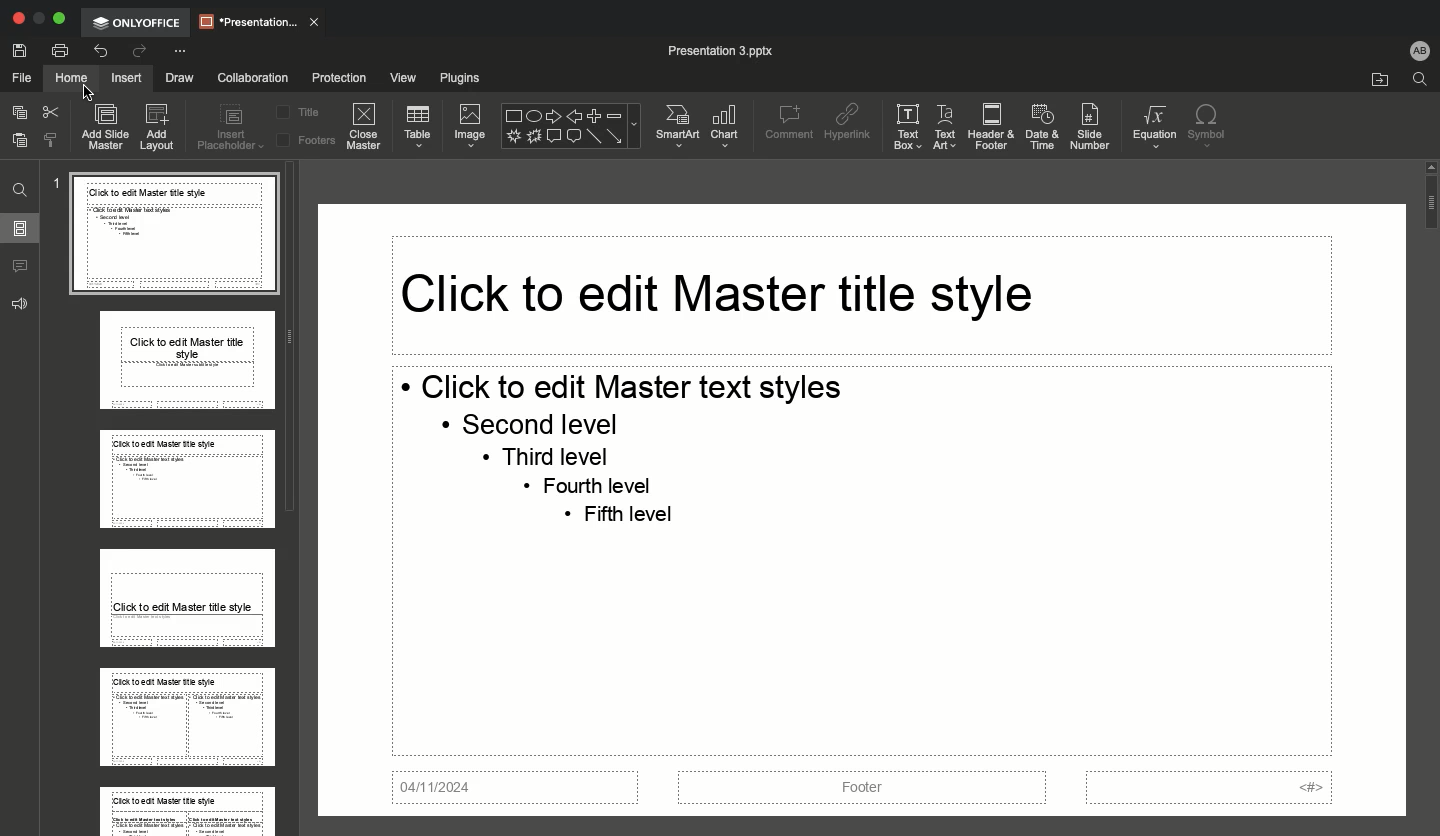  I want to click on Customize quick access toolbar, so click(179, 52).